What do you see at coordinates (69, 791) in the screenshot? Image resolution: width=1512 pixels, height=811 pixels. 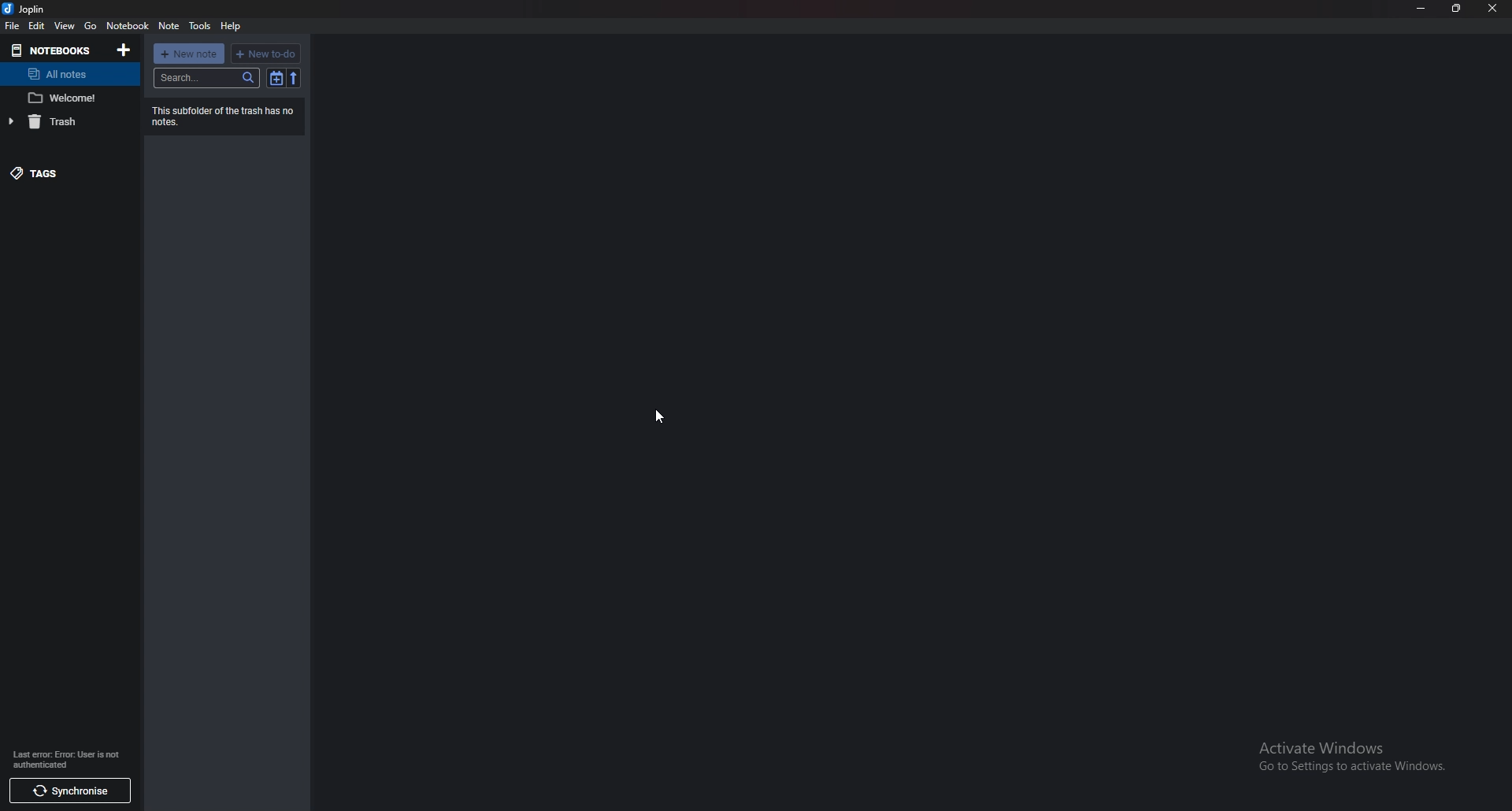 I see `Synchronize` at bounding box center [69, 791].